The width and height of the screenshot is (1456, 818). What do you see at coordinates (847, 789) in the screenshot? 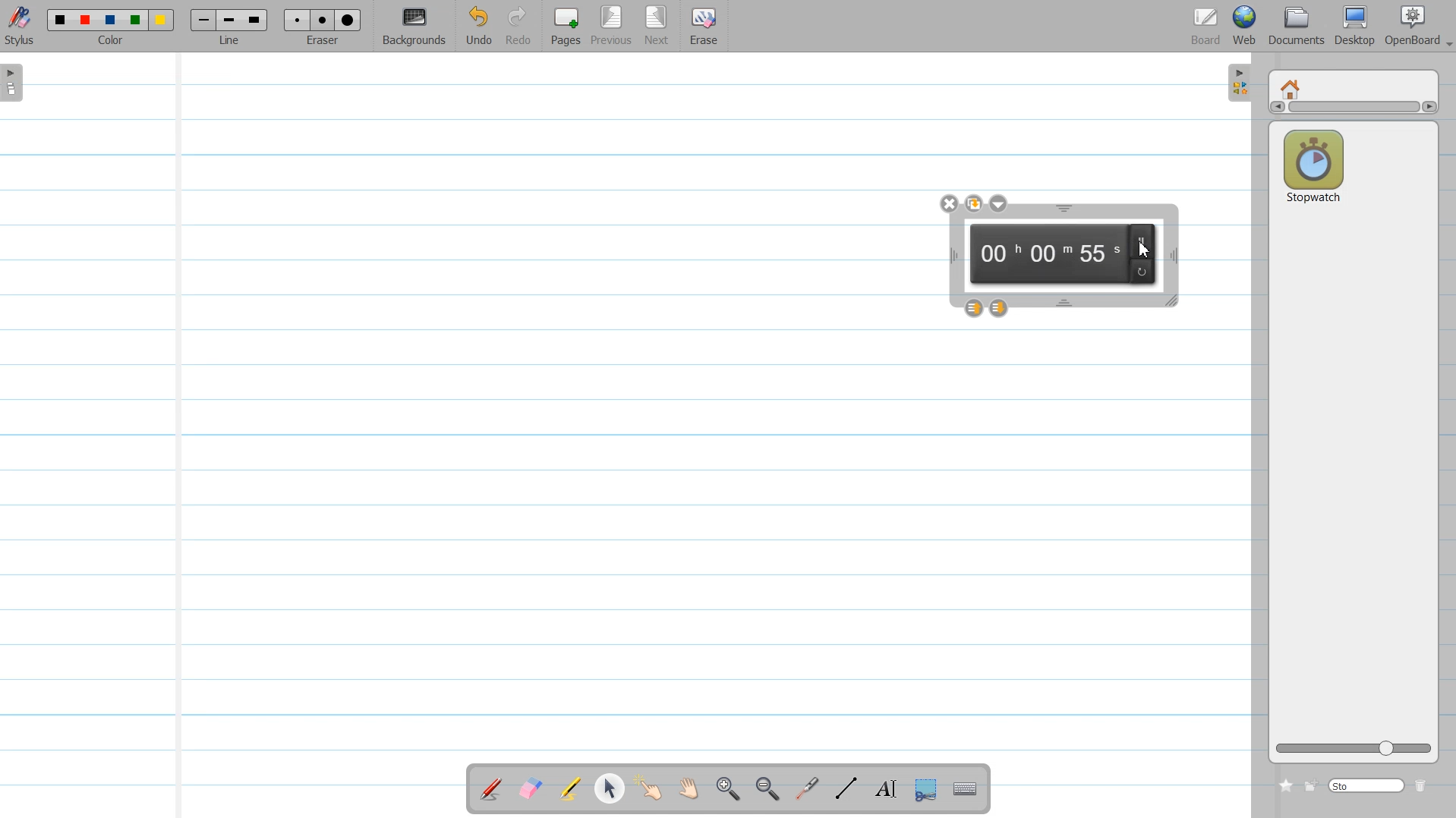
I see `Draw Line` at bounding box center [847, 789].